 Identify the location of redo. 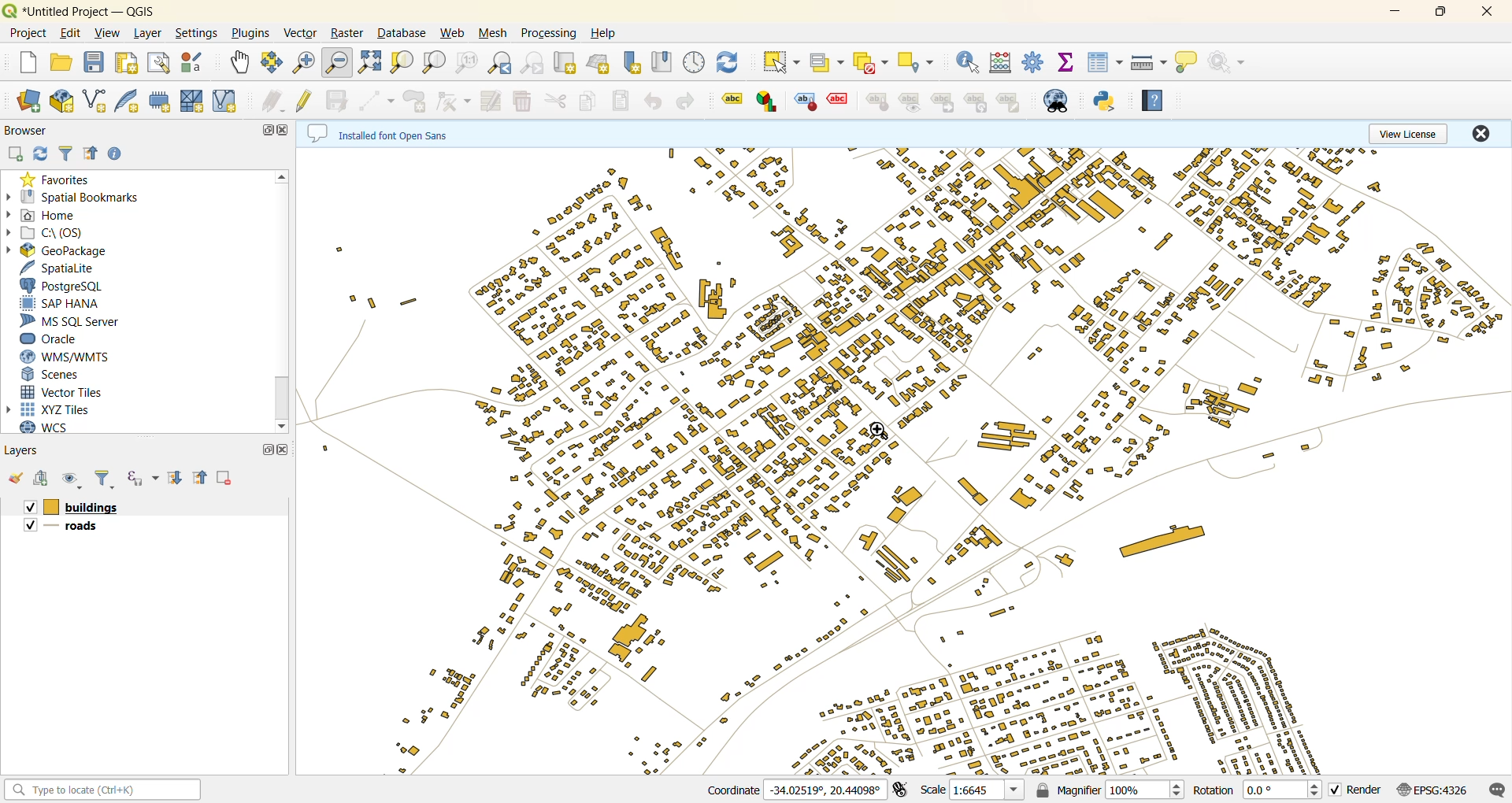
(684, 101).